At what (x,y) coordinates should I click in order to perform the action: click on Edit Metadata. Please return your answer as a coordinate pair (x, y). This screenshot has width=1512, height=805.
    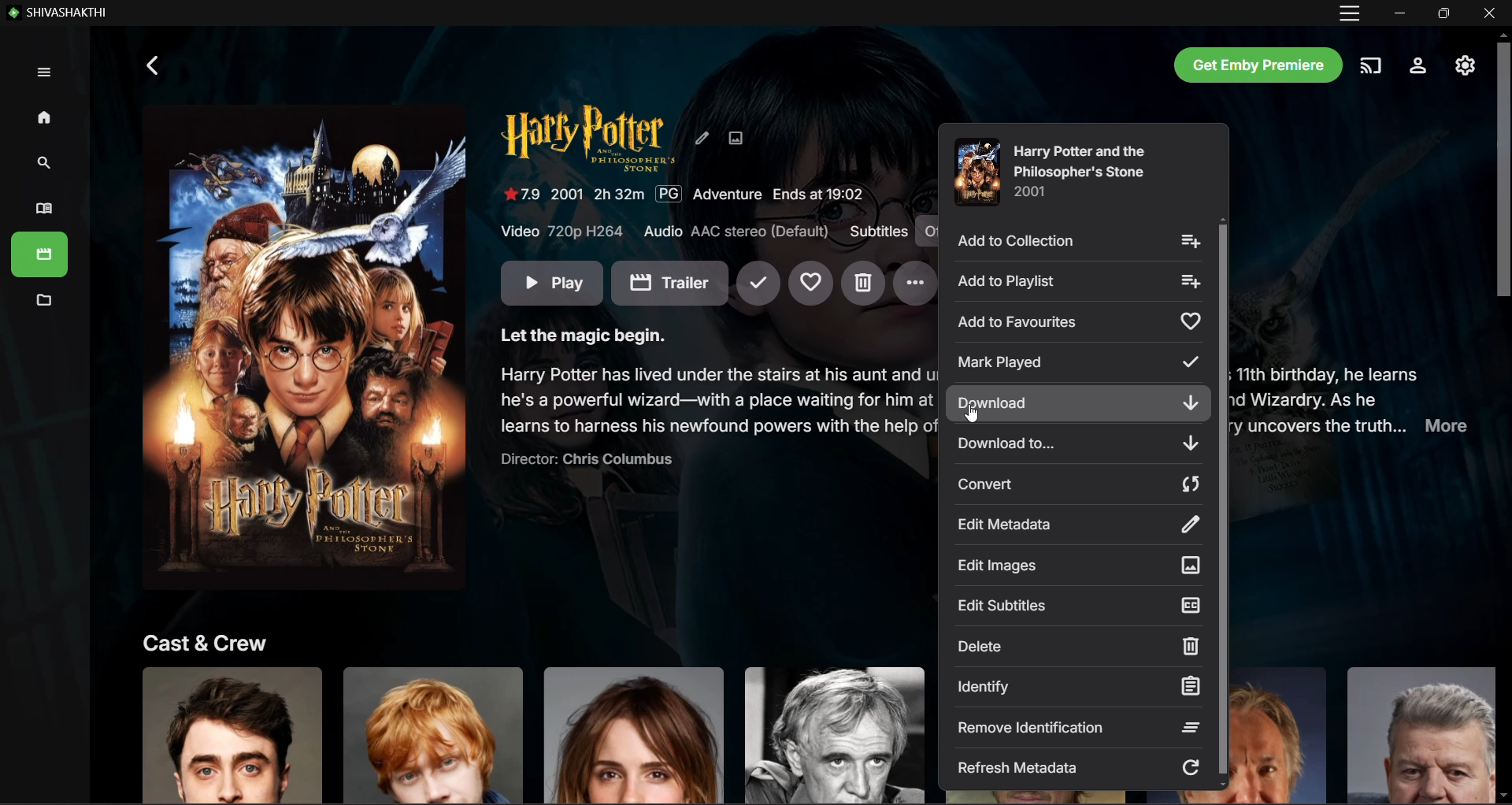
    Looking at the image, I should click on (702, 137).